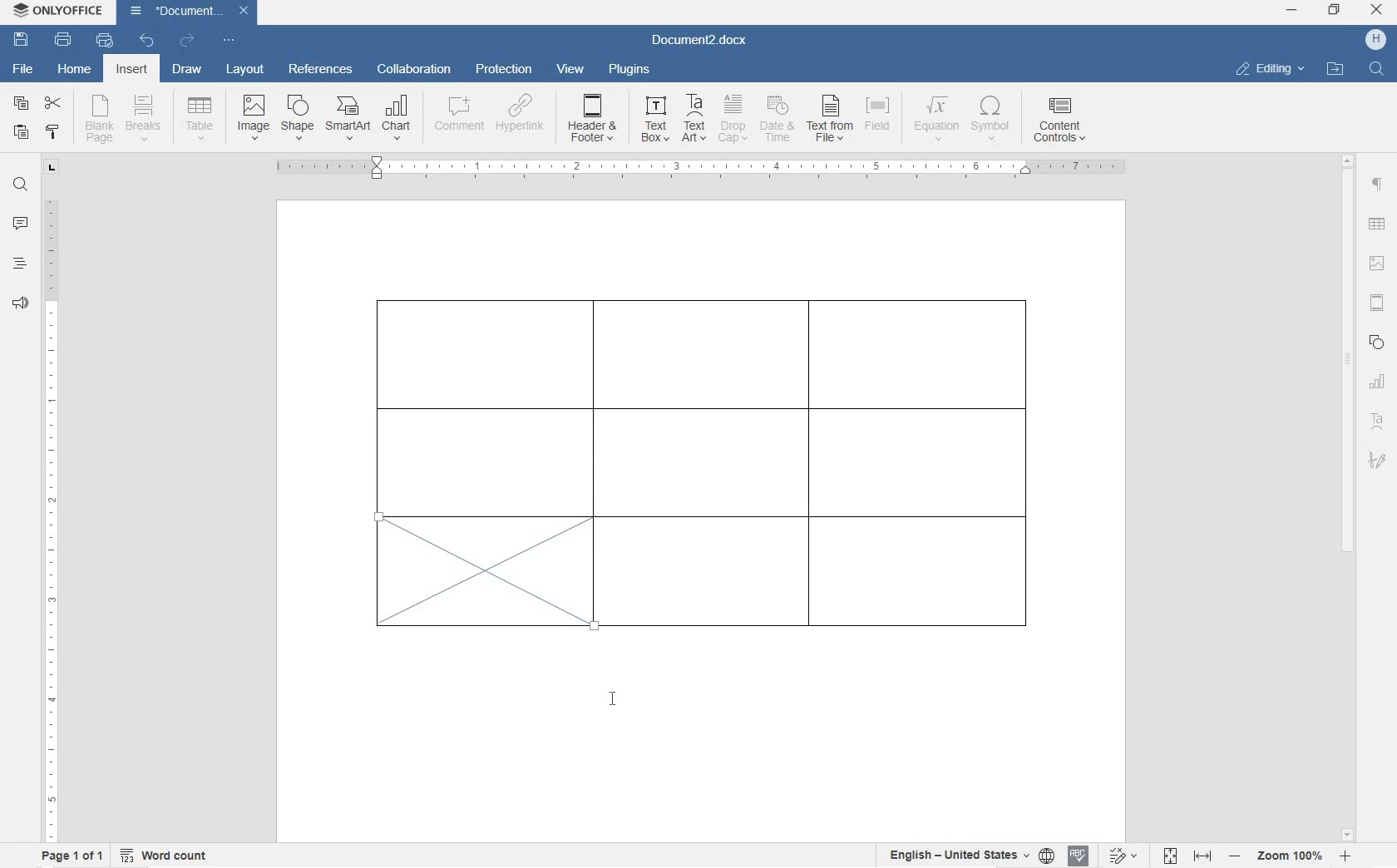 This screenshot has width=1397, height=868. What do you see at coordinates (146, 119) in the screenshot?
I see `insert page breaks` at bounding box center [146, 119].